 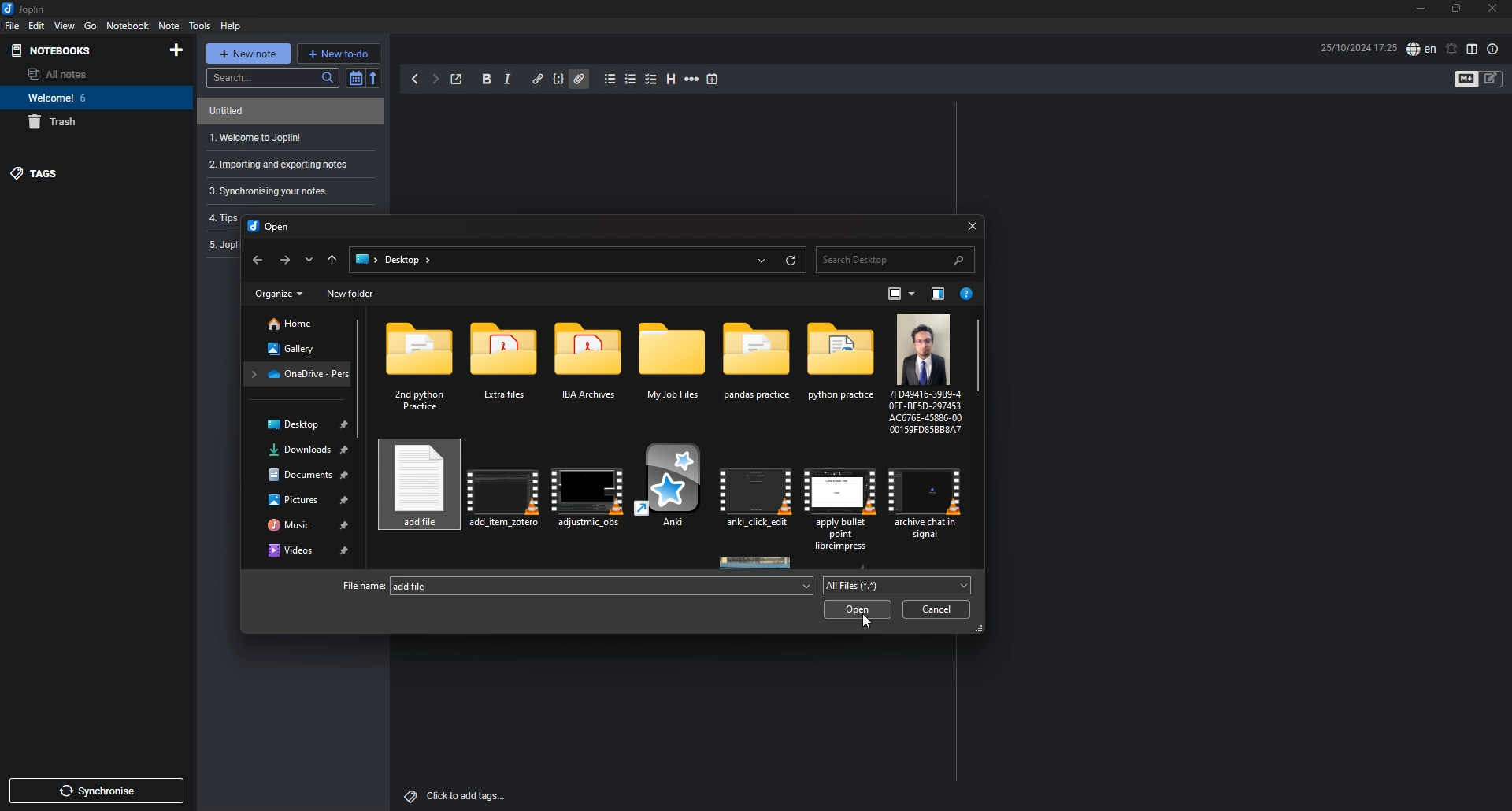 What do you see at coordinates (579, 79) in the screenshot?
I see `attach file` at bounding box center [579, 79].